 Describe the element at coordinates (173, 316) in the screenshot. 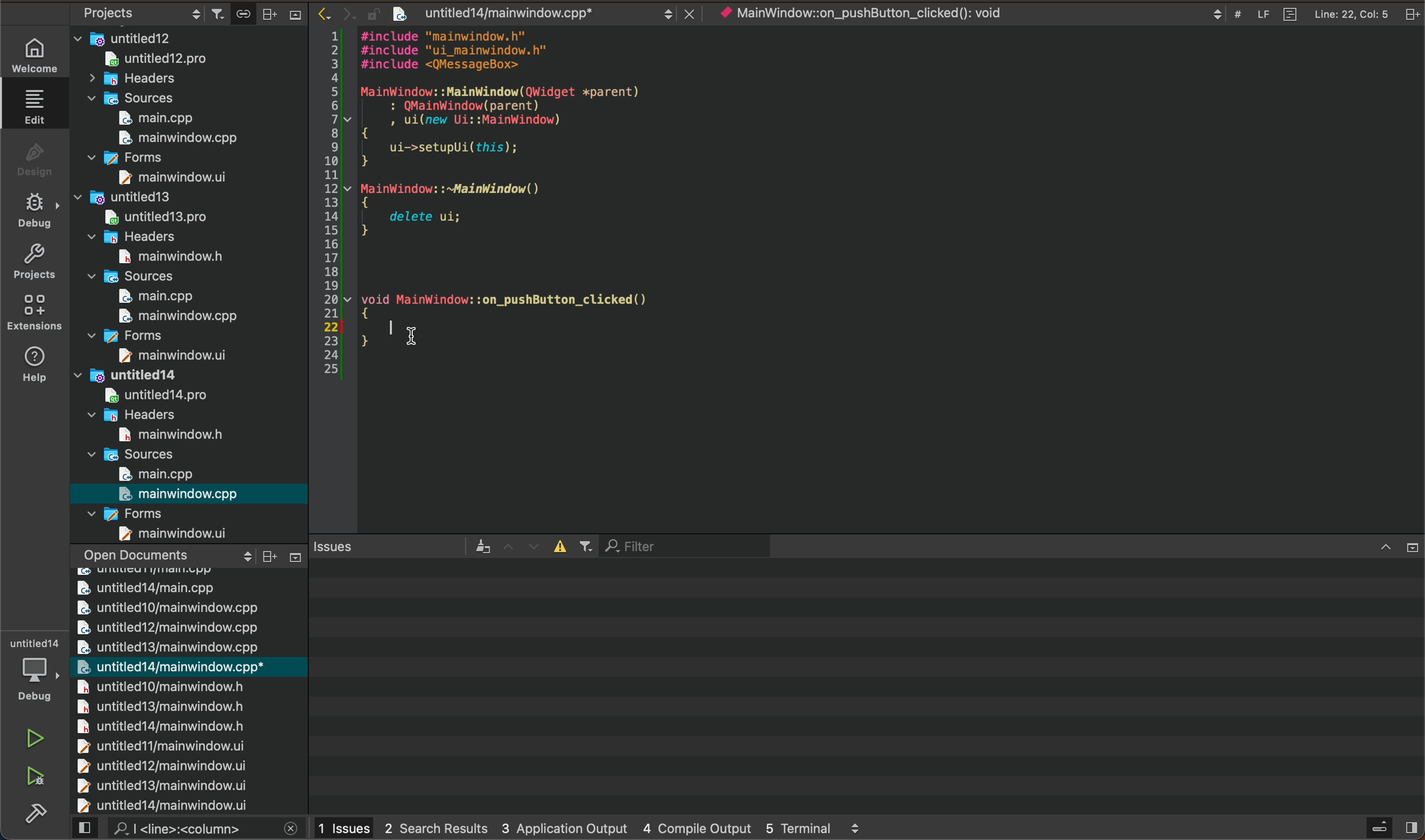

I see `main window` at that location.